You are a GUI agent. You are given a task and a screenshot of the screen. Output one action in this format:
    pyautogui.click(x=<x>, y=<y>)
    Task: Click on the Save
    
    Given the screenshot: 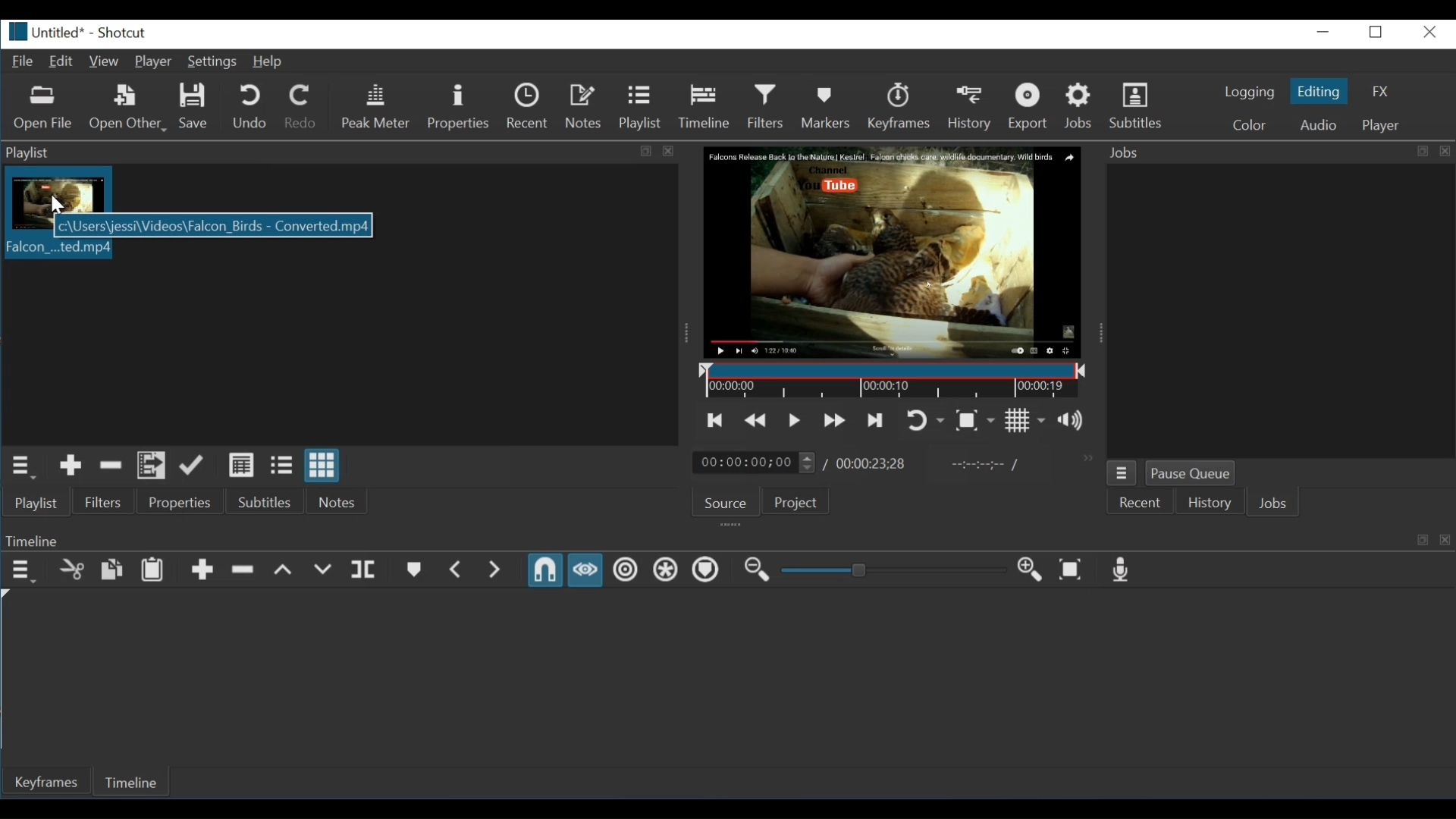 What is the action you would take?
    pyautogui.click(x=195, y=107)
    